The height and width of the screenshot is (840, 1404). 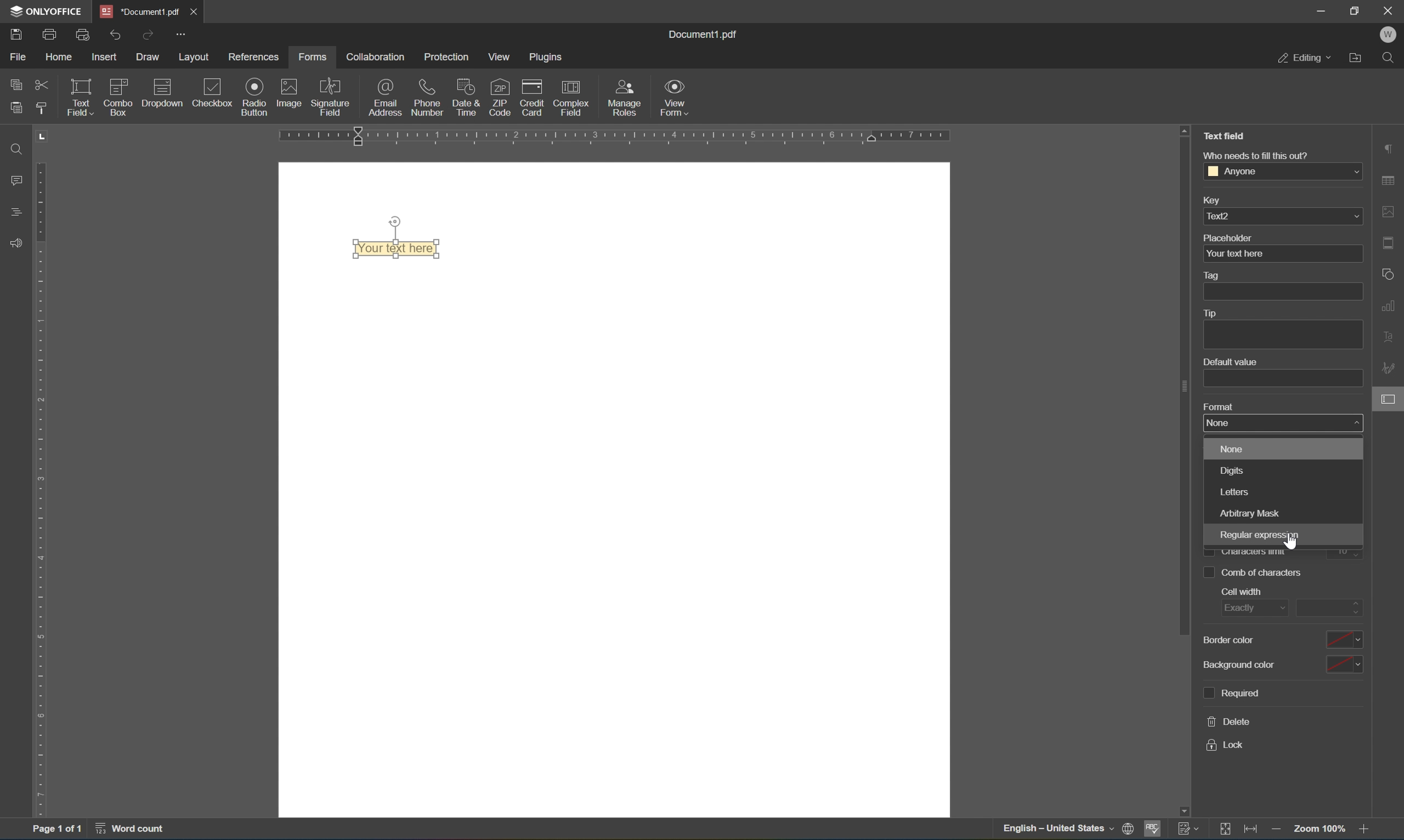 What do you see at coordinates (677, 97) in the screenshot?
I see `view form` at bounding box center [677, 97].